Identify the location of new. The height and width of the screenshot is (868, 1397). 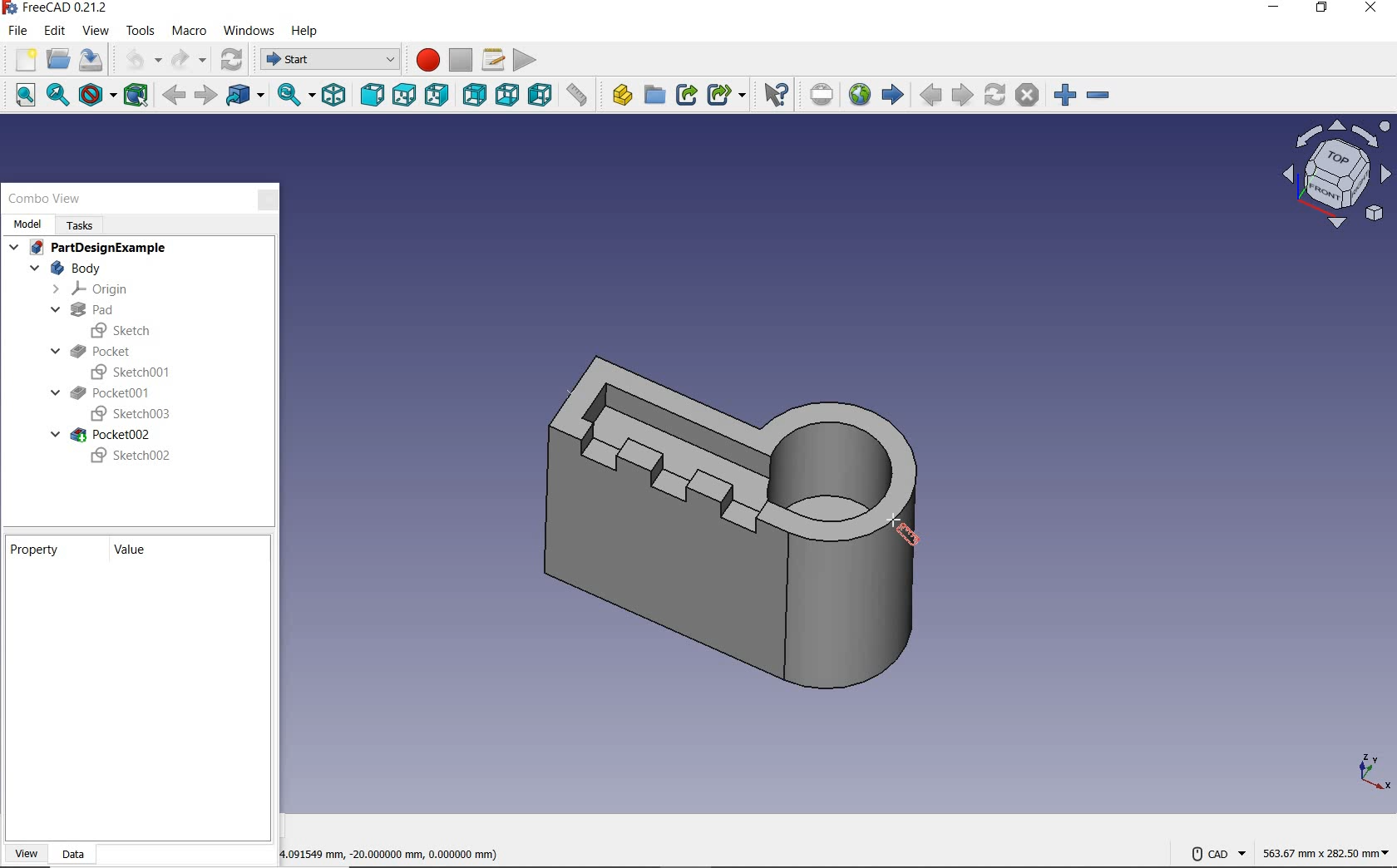
(22, 60).